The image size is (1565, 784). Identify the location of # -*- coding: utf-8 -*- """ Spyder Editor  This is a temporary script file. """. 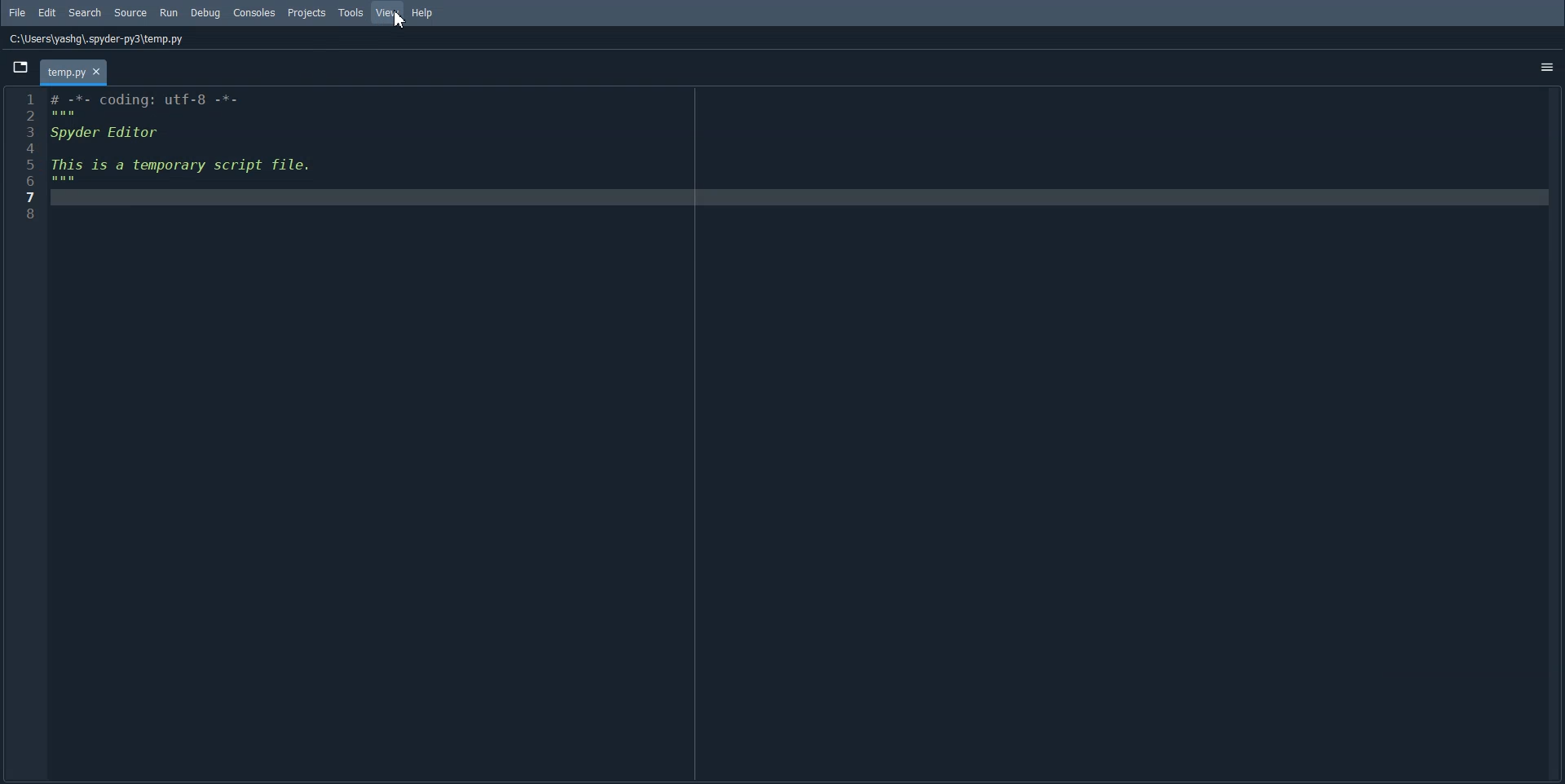
(795, 434).